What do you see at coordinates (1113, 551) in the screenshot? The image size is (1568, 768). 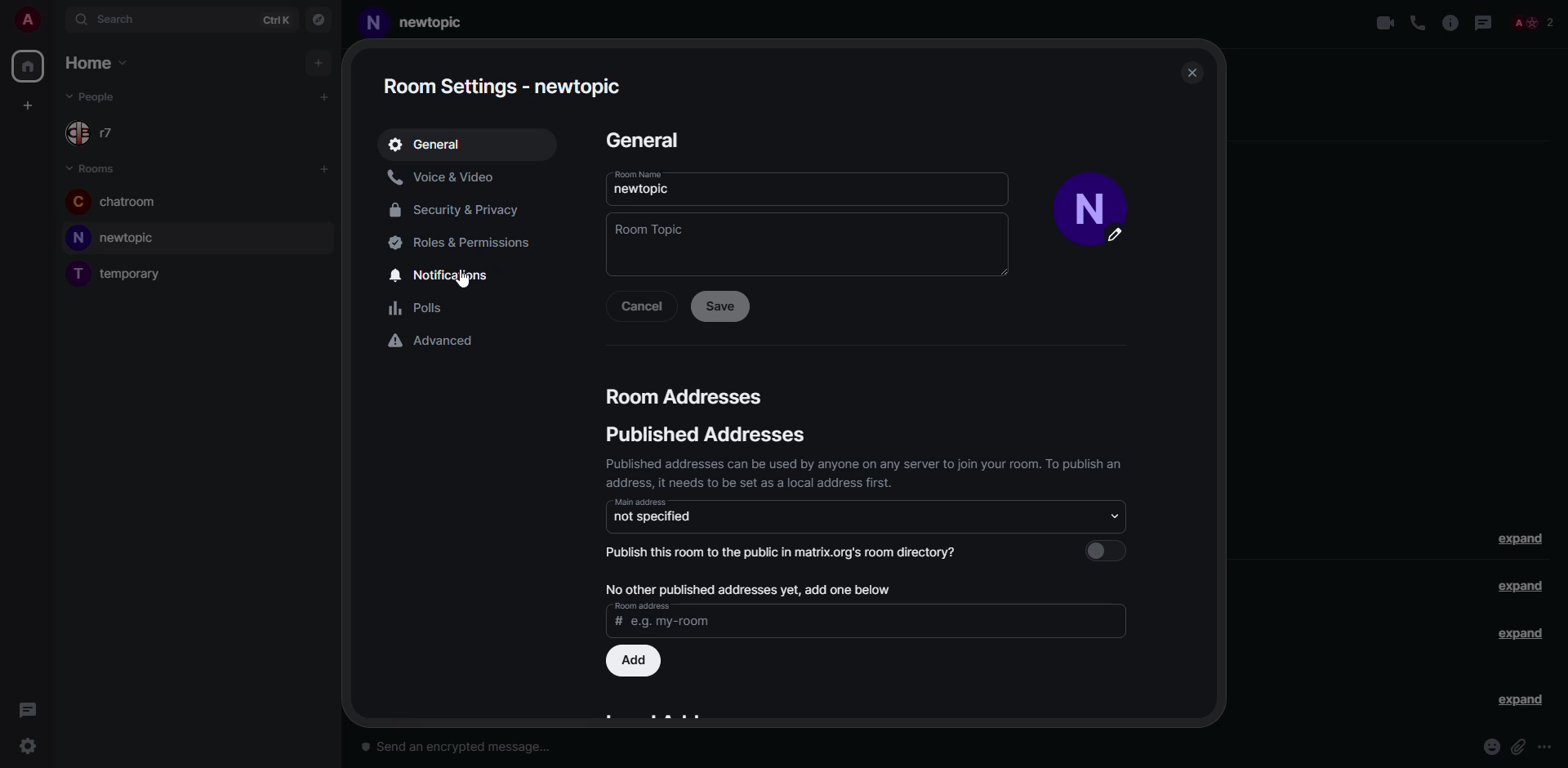 I see `select` at bounding box center [1113, 551].